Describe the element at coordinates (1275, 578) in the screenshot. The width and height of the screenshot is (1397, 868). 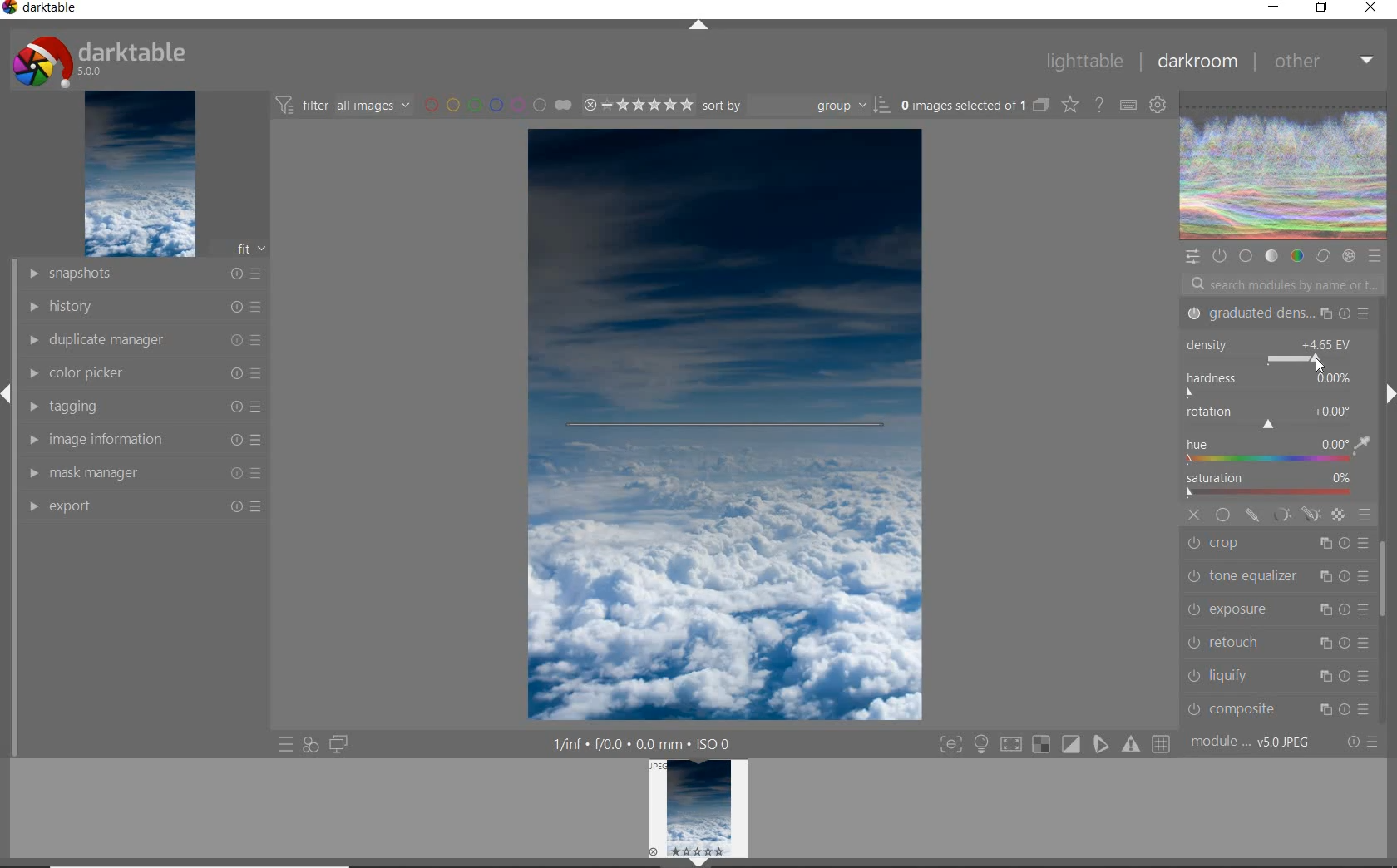
I see `tone equalizer` at that location.